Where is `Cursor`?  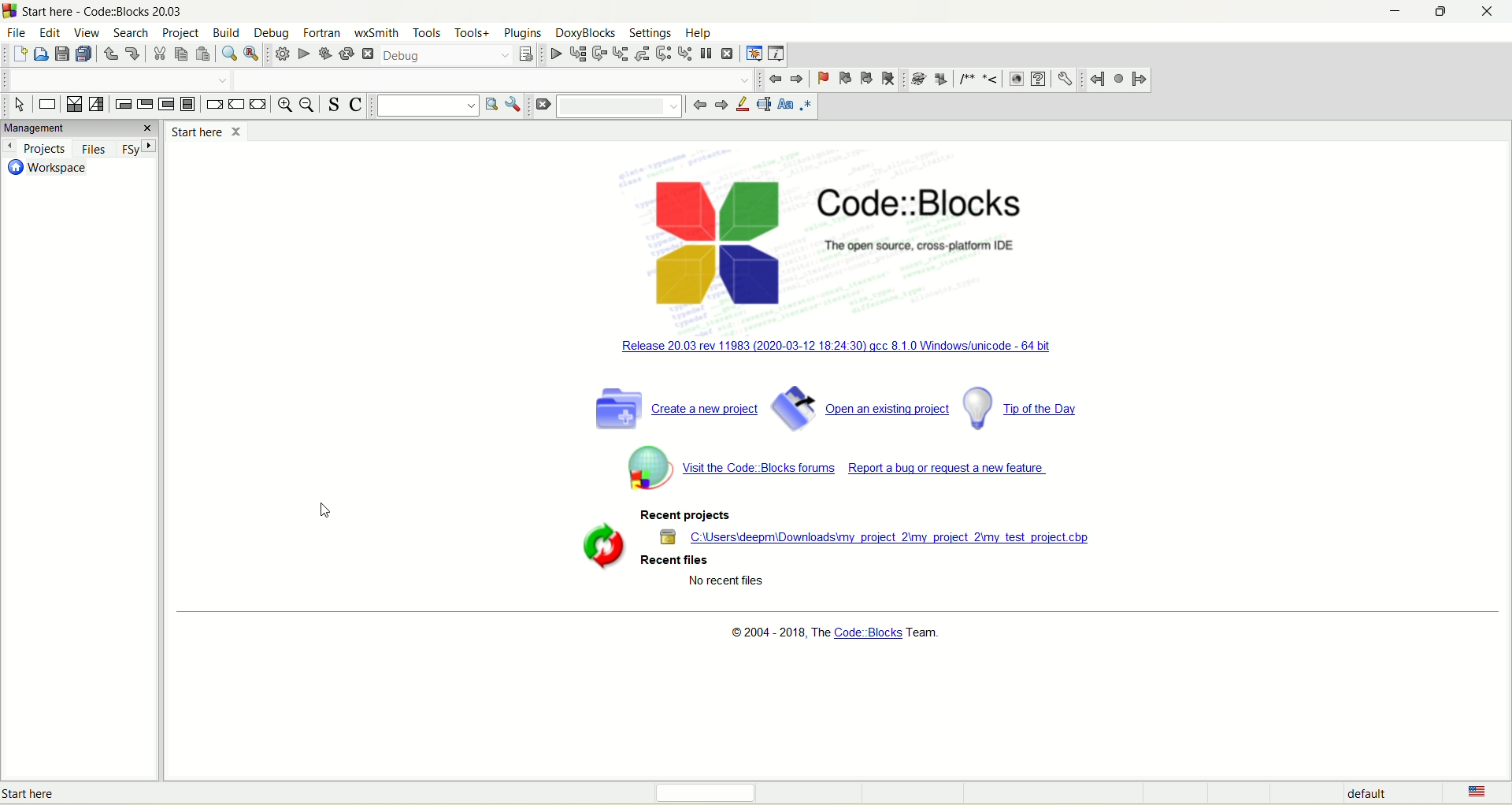
Cursor is located at coordinates (326, 513).